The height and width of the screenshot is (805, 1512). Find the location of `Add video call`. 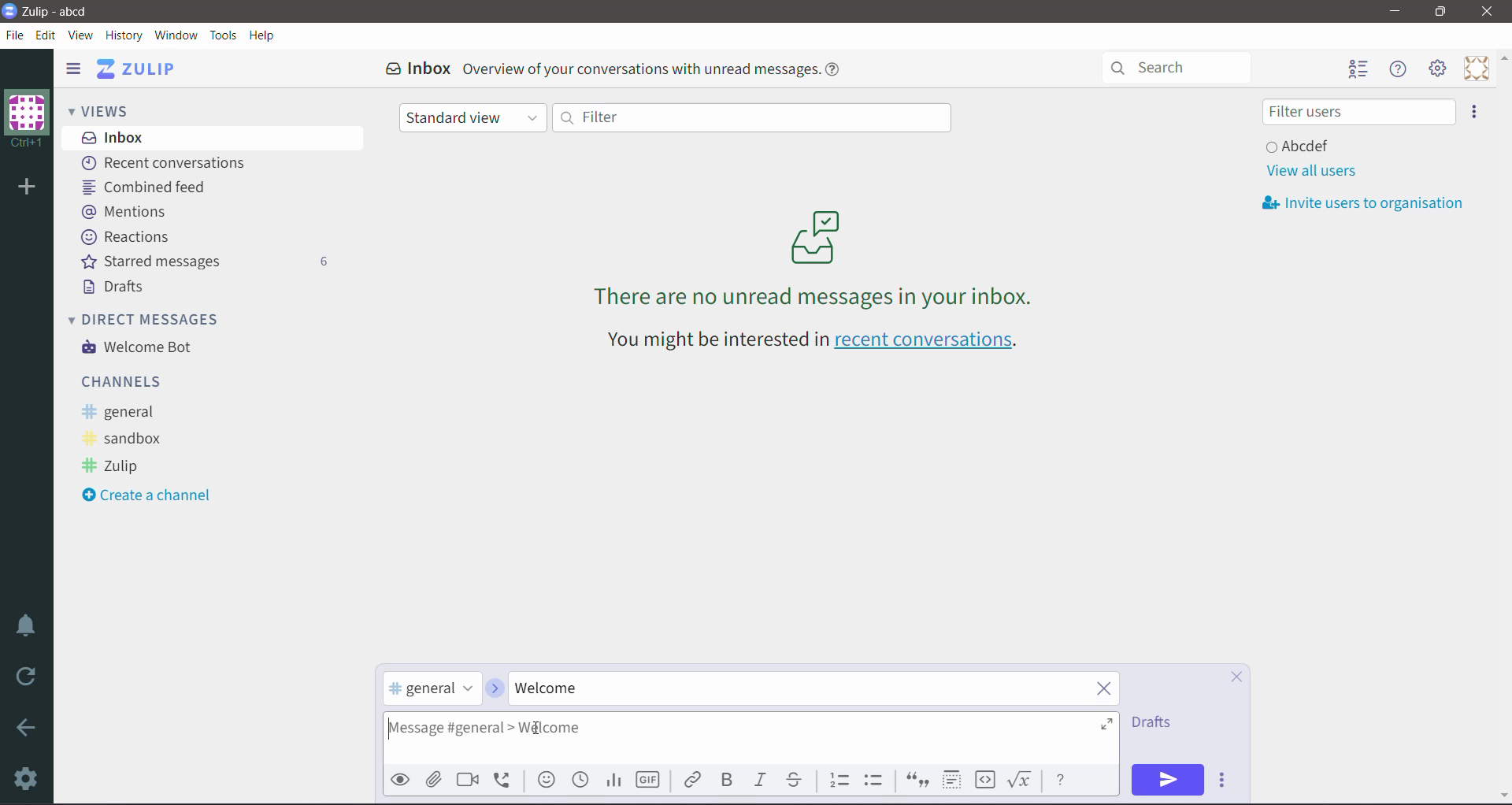

Add video call is located at coordinates (466, 780).